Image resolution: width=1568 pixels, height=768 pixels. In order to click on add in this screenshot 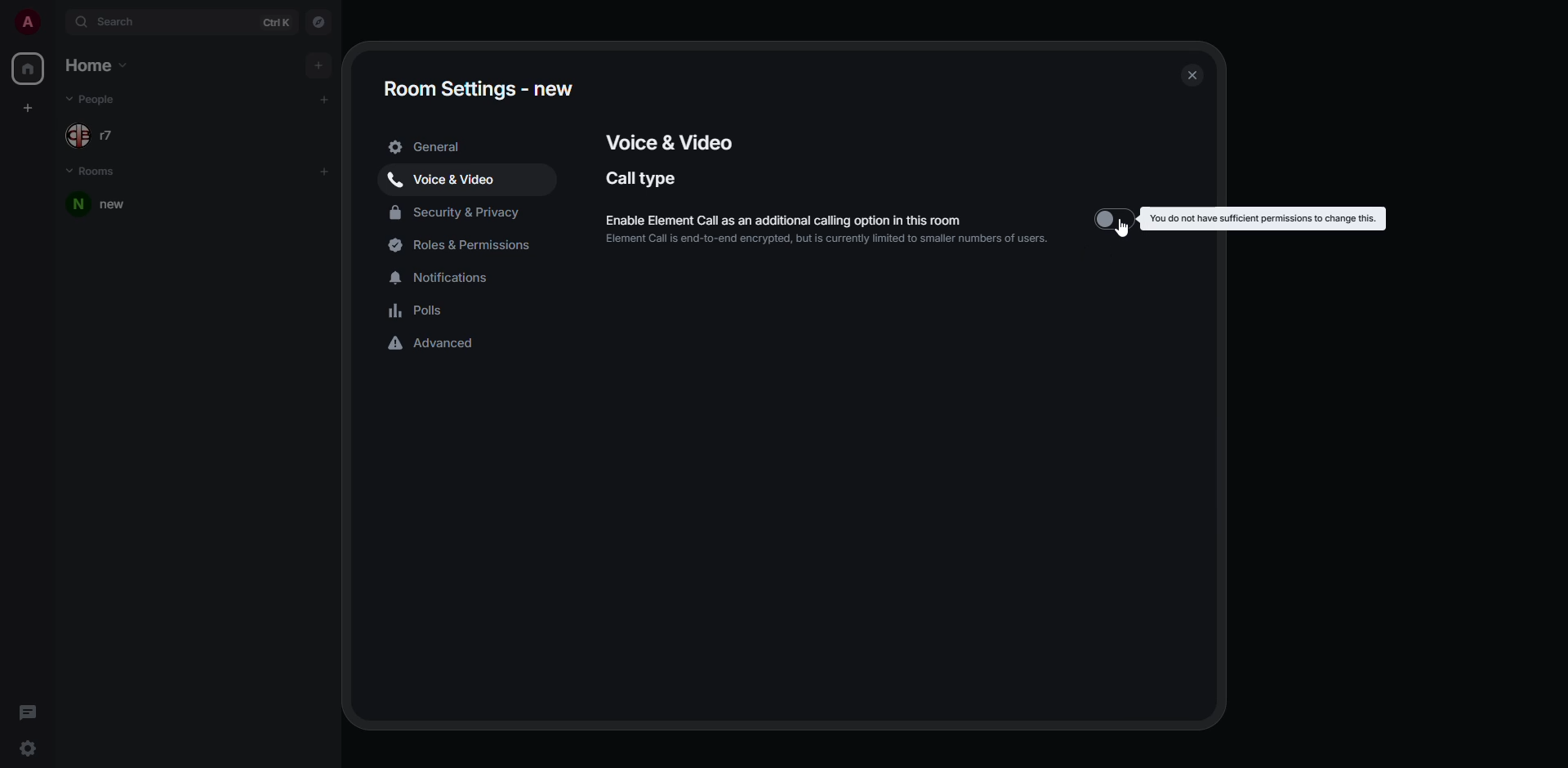, I will do `click(316, 65)`.